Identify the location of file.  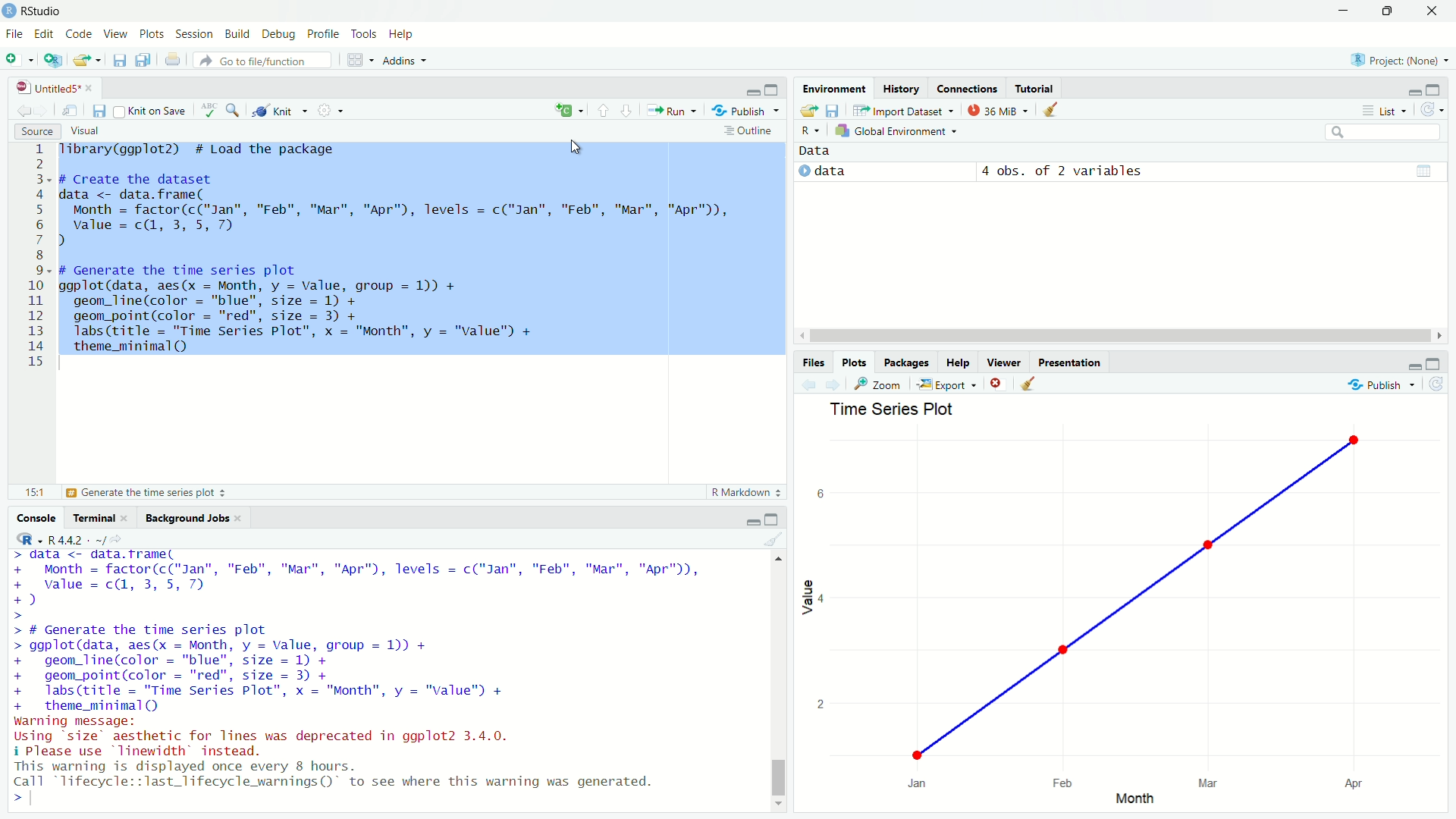
(13, 33).